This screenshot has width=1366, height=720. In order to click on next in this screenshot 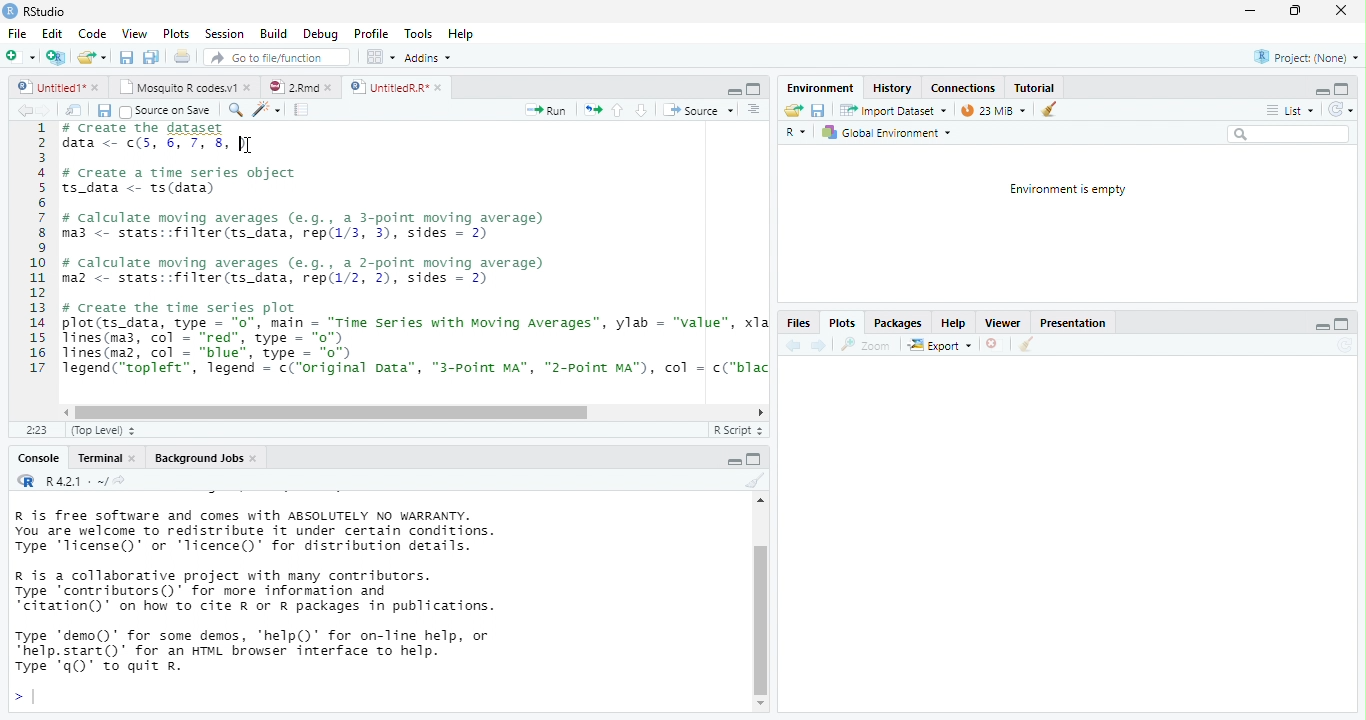, I will do `click(819, 345)`.